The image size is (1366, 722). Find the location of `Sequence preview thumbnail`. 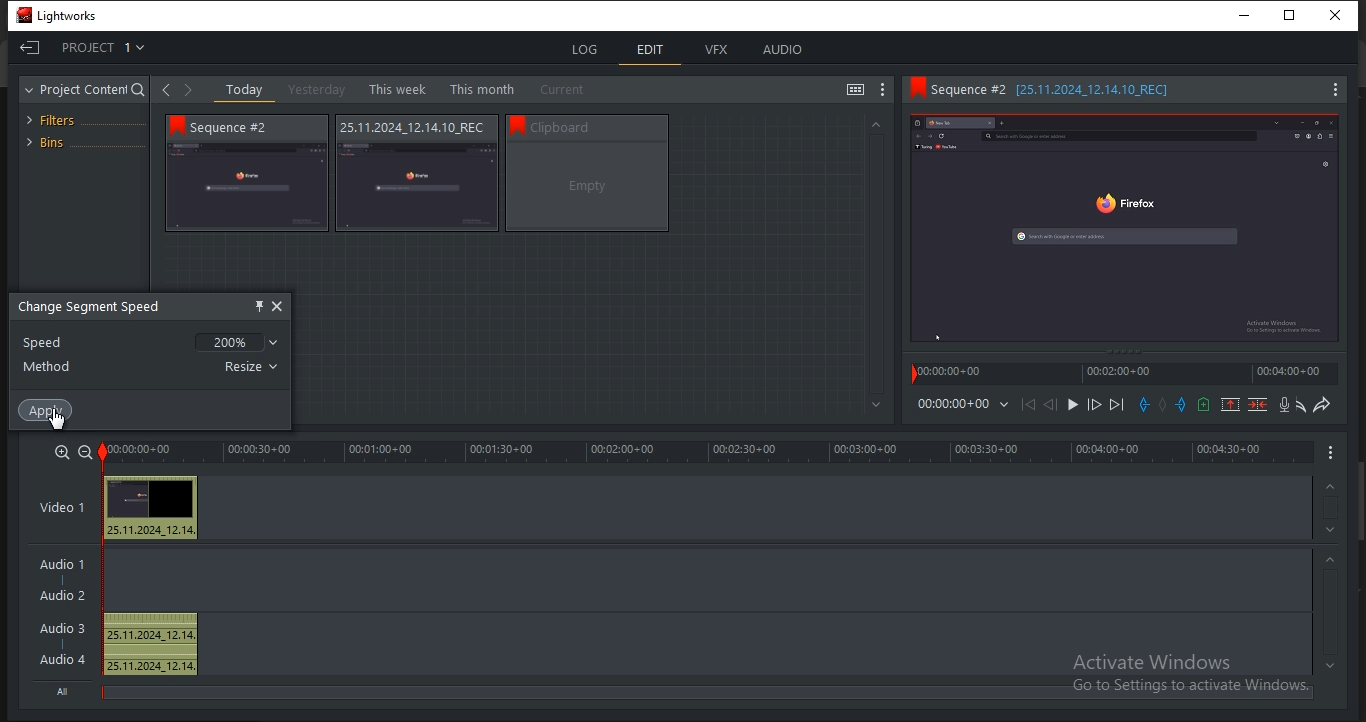

Sequence preview thumbnail is located at coordinates (1123, 226).